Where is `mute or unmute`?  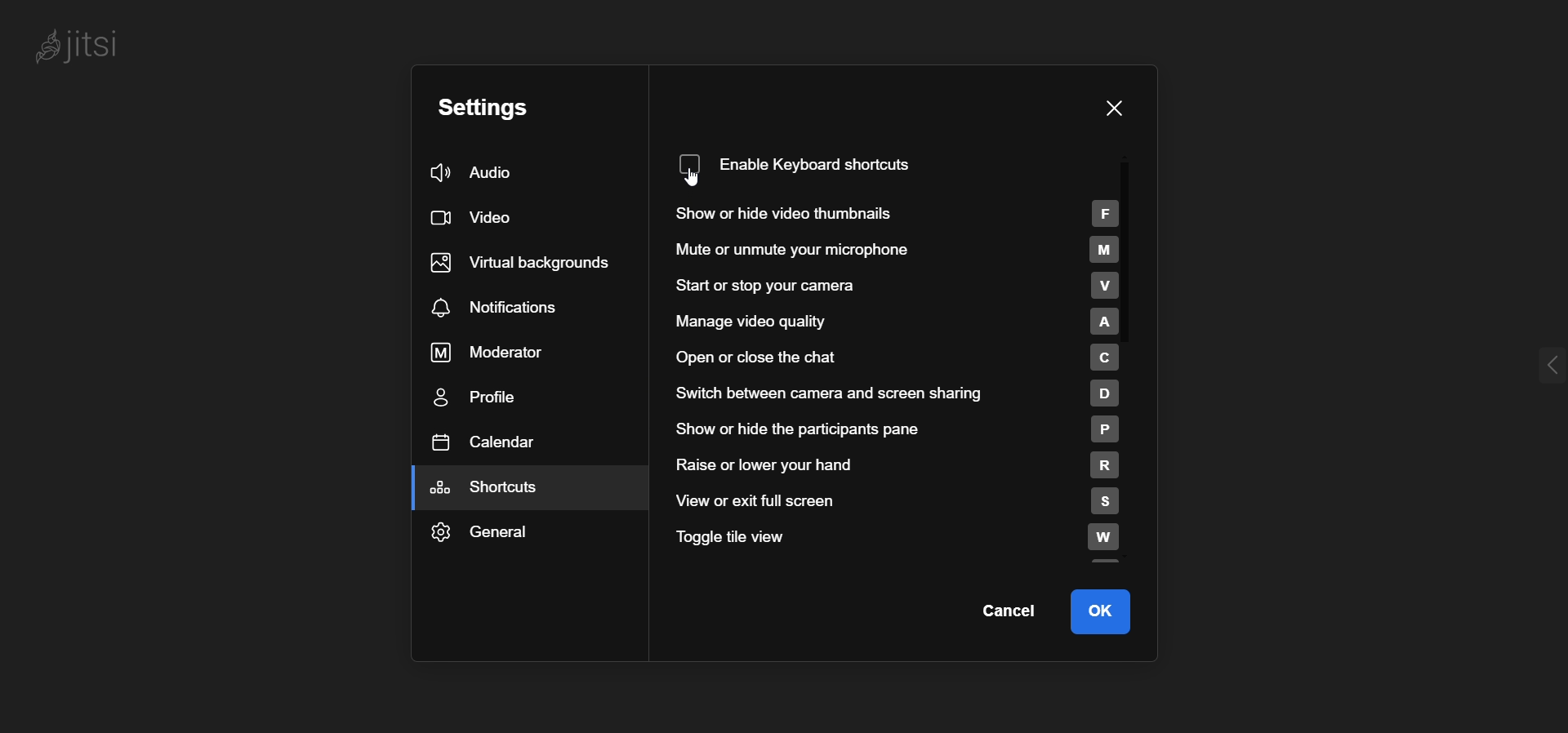 mute or unmute is located at coordinates (901, 249).